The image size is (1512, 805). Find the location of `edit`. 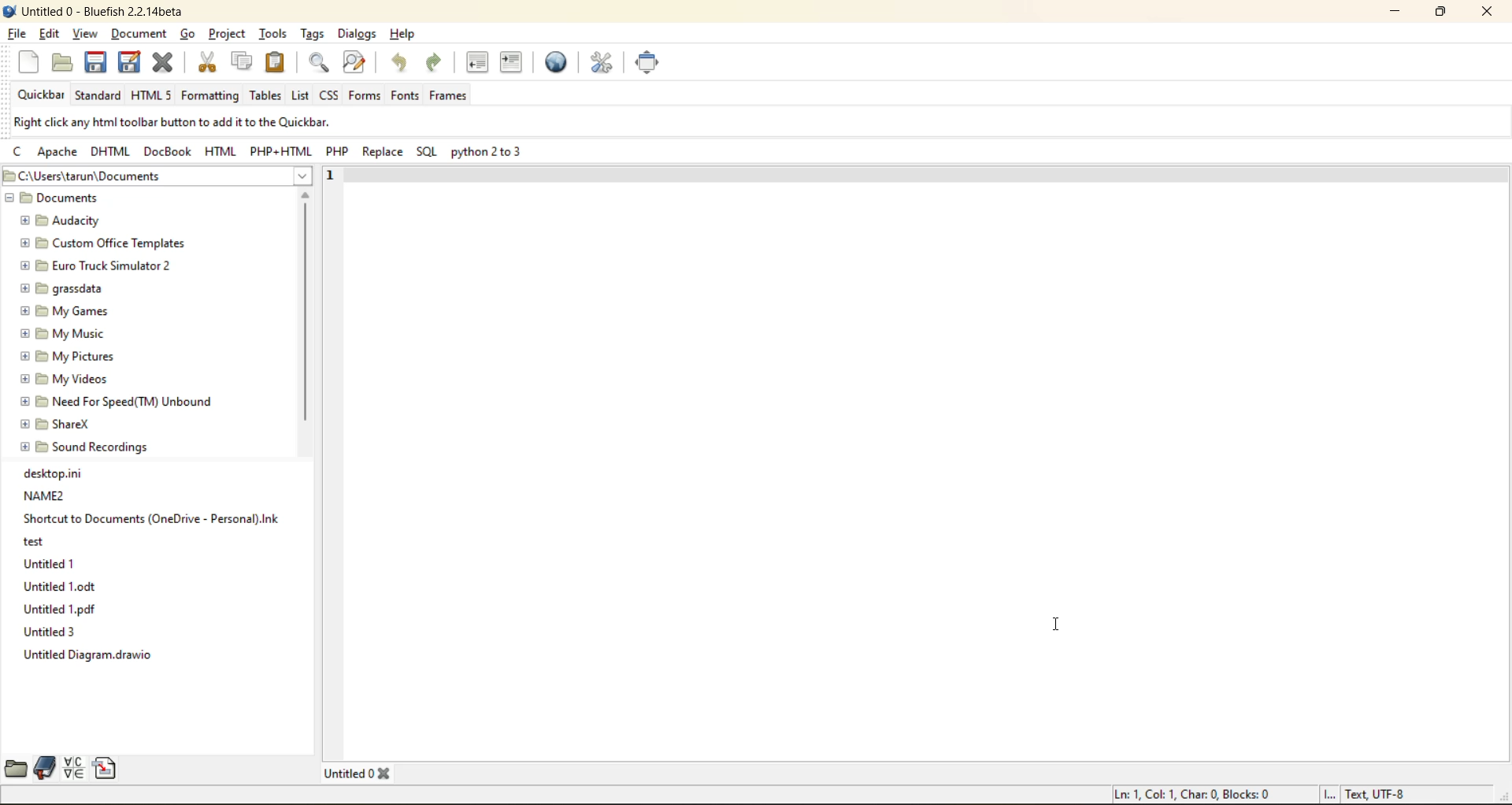

edit is located at coordinates (50, 35).